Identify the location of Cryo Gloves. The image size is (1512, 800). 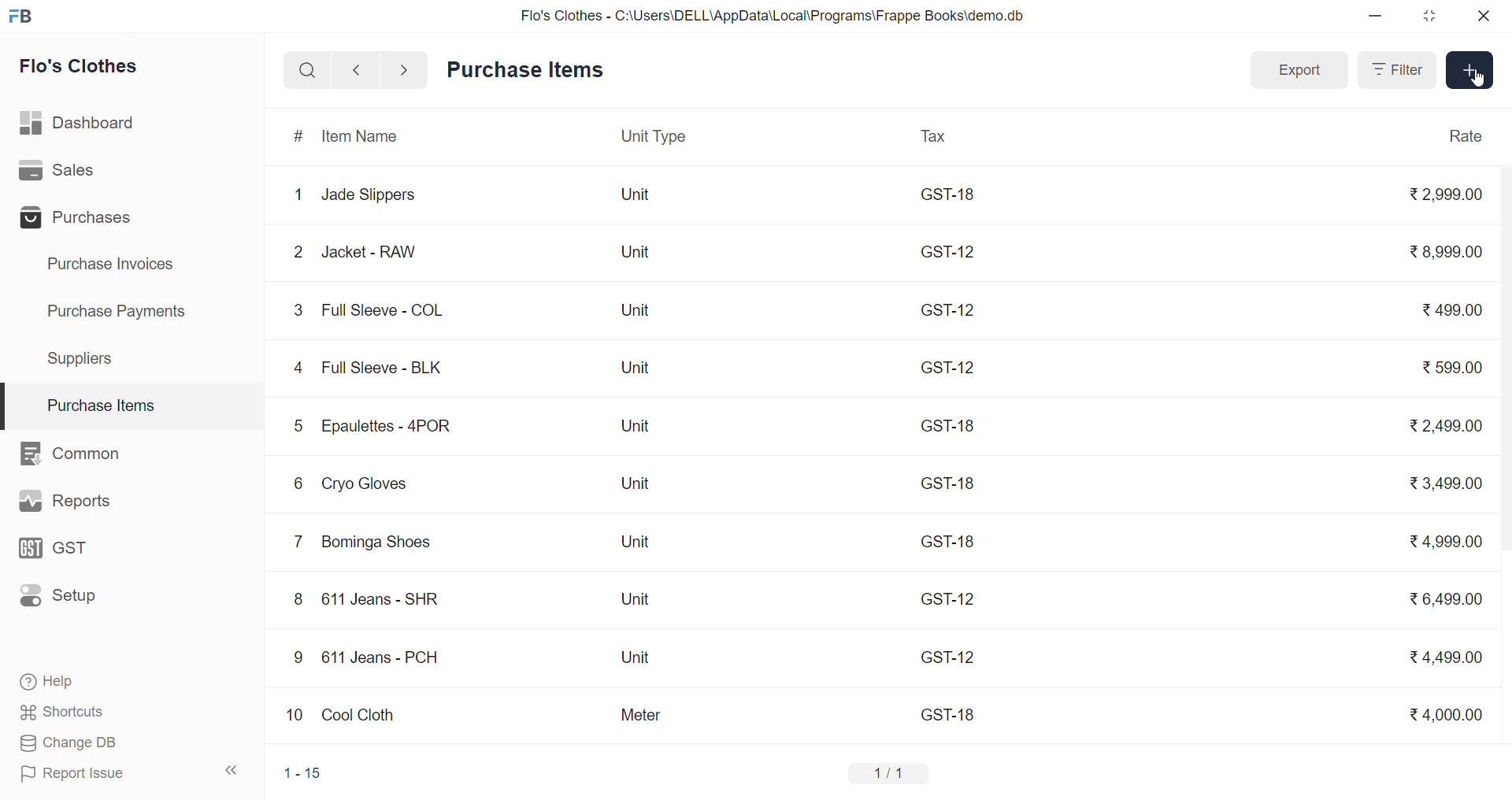
(369, 487).